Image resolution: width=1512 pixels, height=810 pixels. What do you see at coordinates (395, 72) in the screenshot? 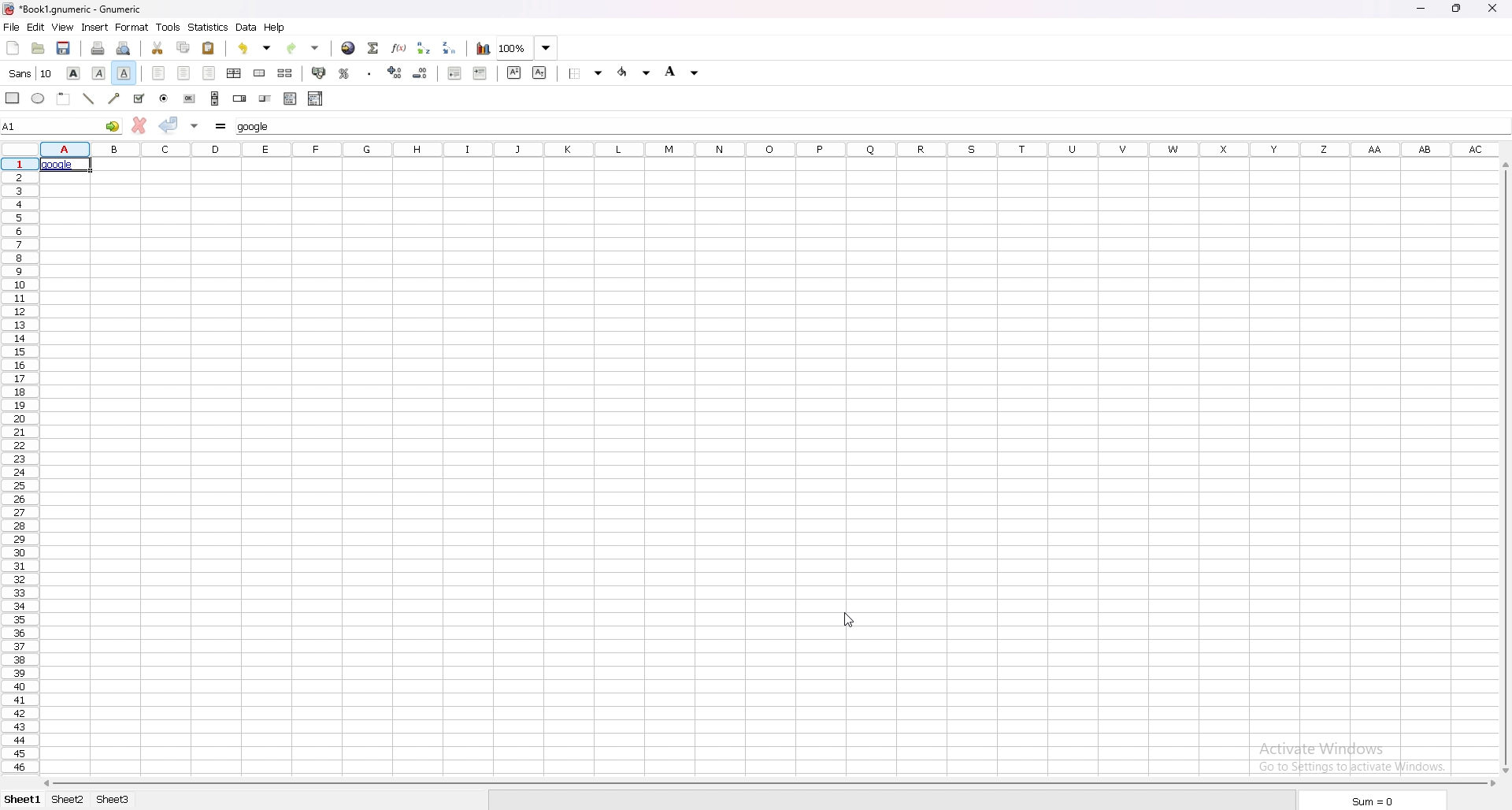
I see `increase decimals` at bounding box center [395, 72].